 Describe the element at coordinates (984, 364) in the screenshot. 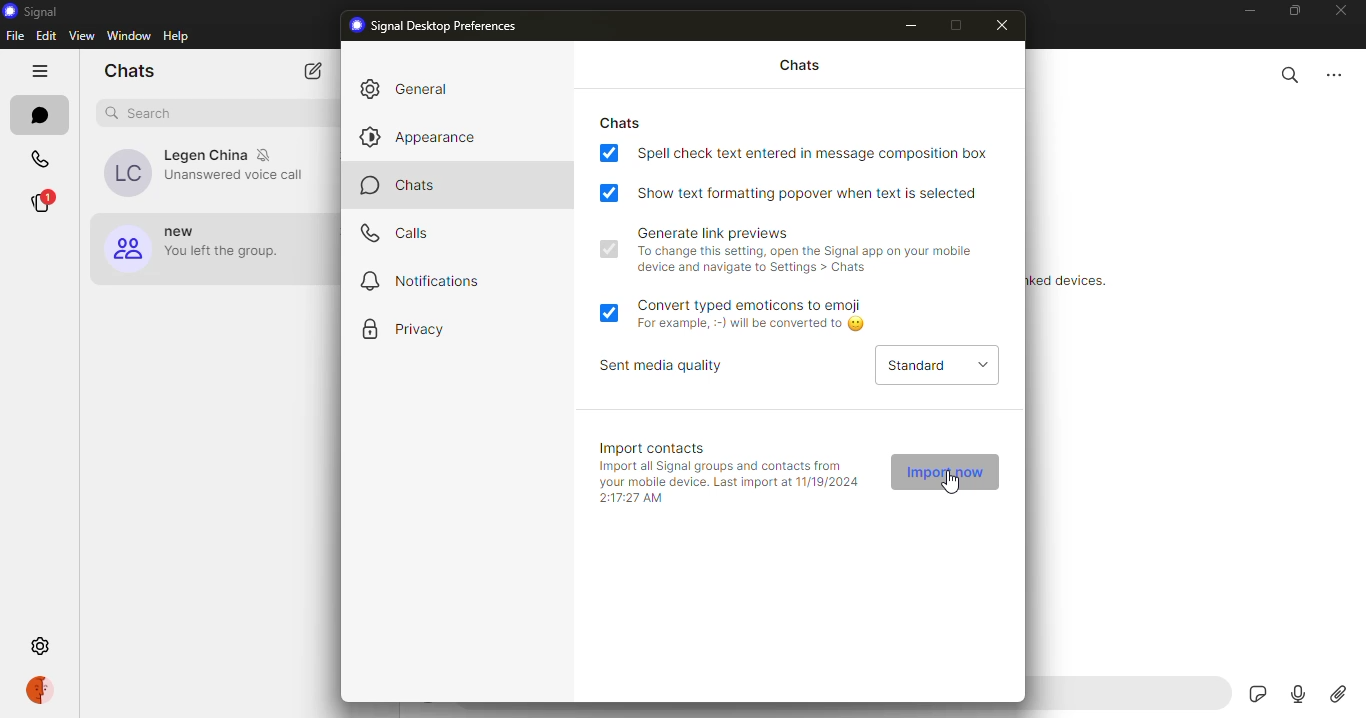

I see `select` at that location.